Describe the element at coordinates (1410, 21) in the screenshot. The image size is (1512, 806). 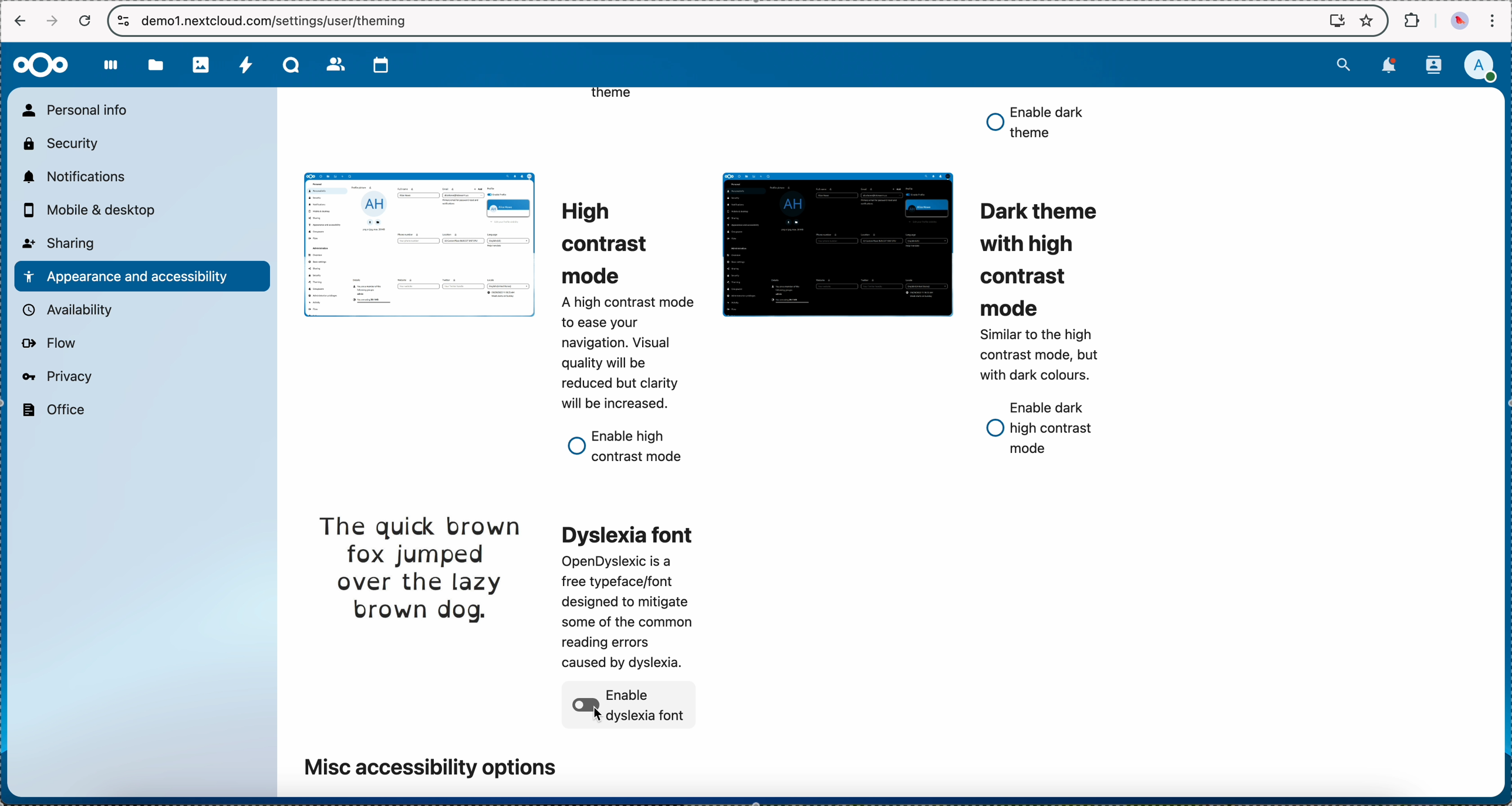
I see `extensions` at that location.